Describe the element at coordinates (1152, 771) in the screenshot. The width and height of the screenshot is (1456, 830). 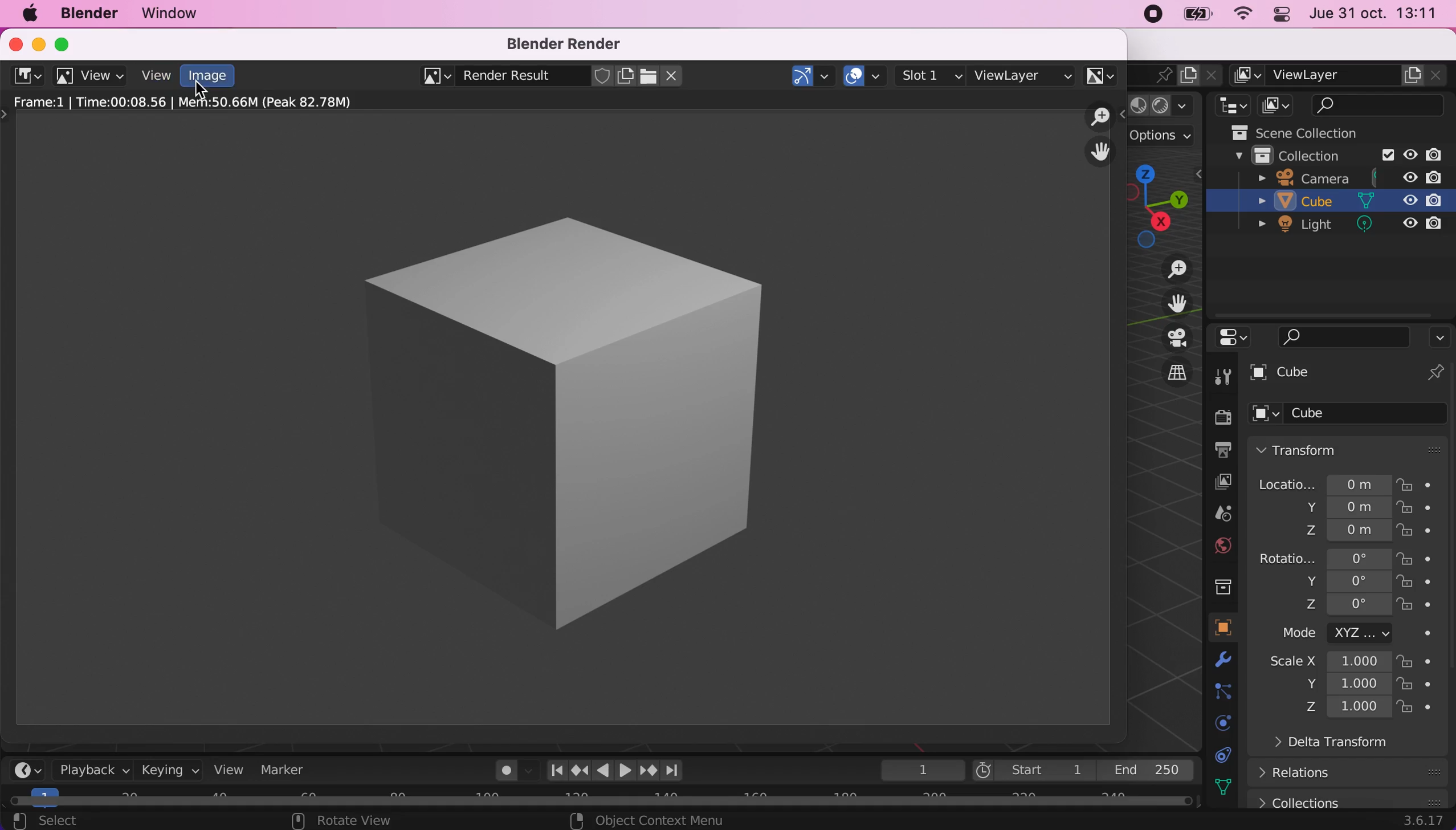
I see `end 250` at that location.